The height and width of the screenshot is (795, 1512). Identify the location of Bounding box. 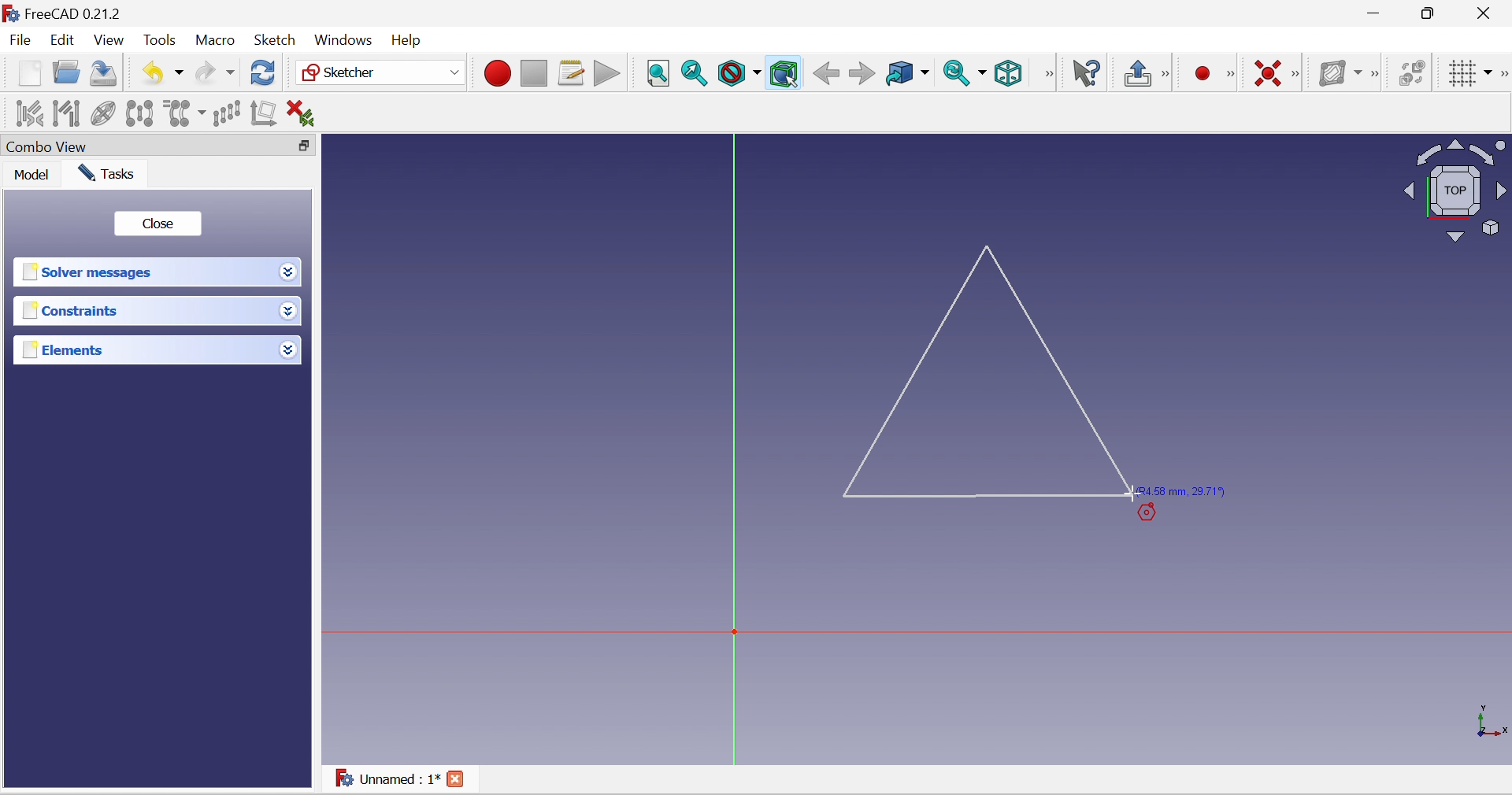
(785, 74).